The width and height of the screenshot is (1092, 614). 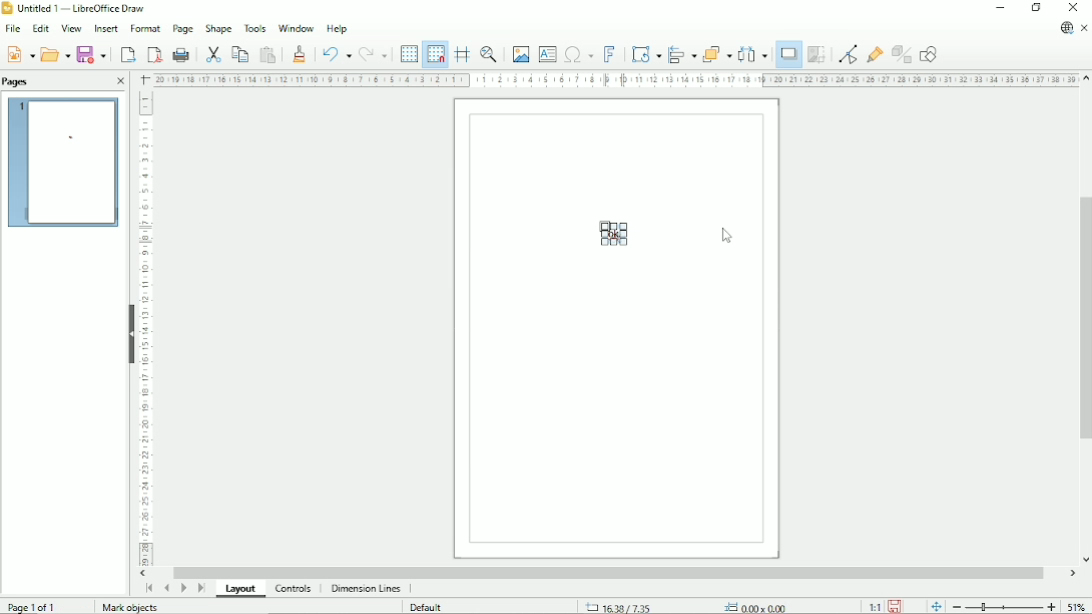 What do you see at coordinates (181, 29) in the screenshot?
I see `Page` at bounding box center [181, 29].